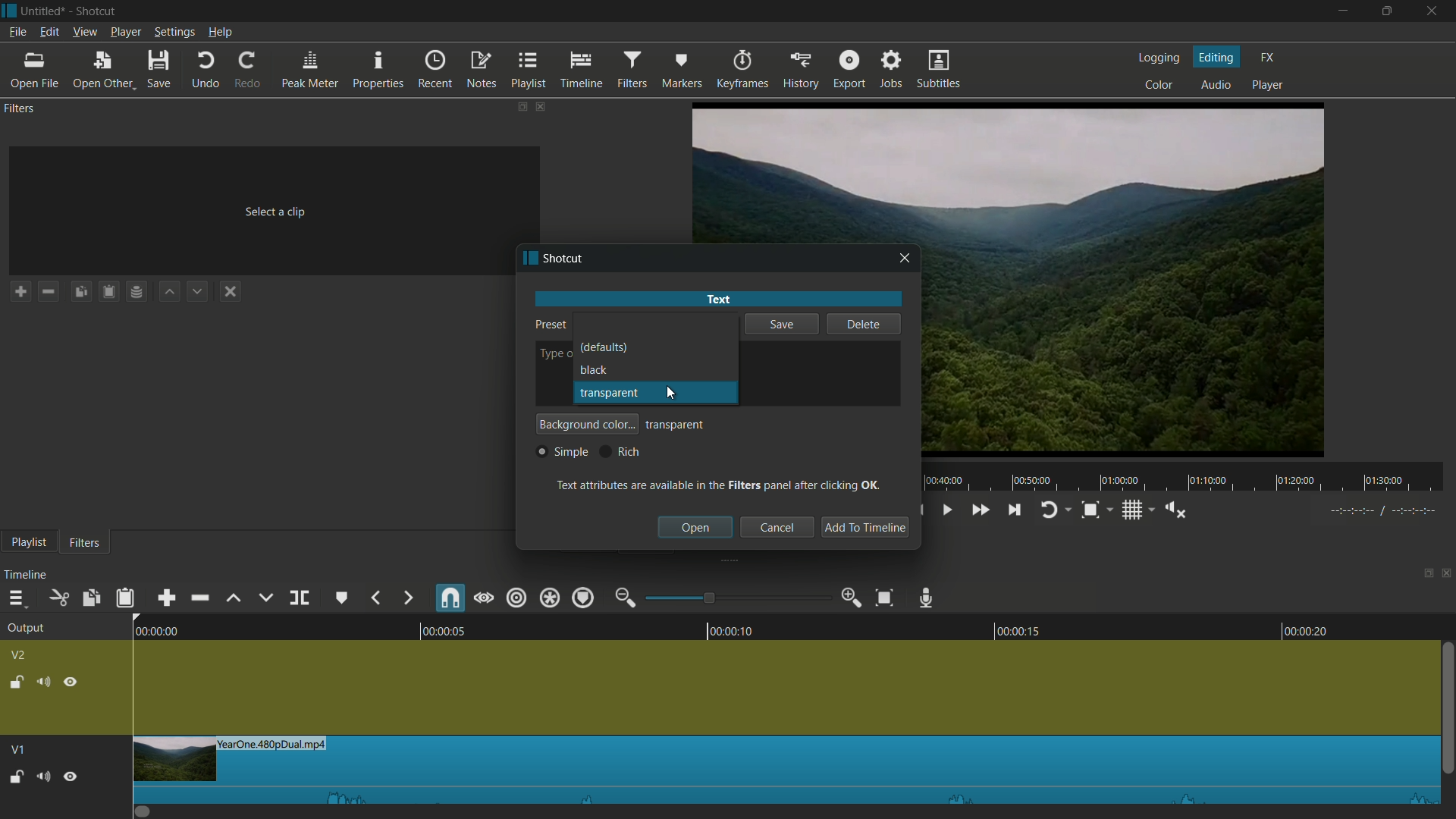 Image resolution: width=1456 pixels, height=819 pixels. Describe the element at coordinates (1423, 576) in the screenshot. I see `change layout` at that location.